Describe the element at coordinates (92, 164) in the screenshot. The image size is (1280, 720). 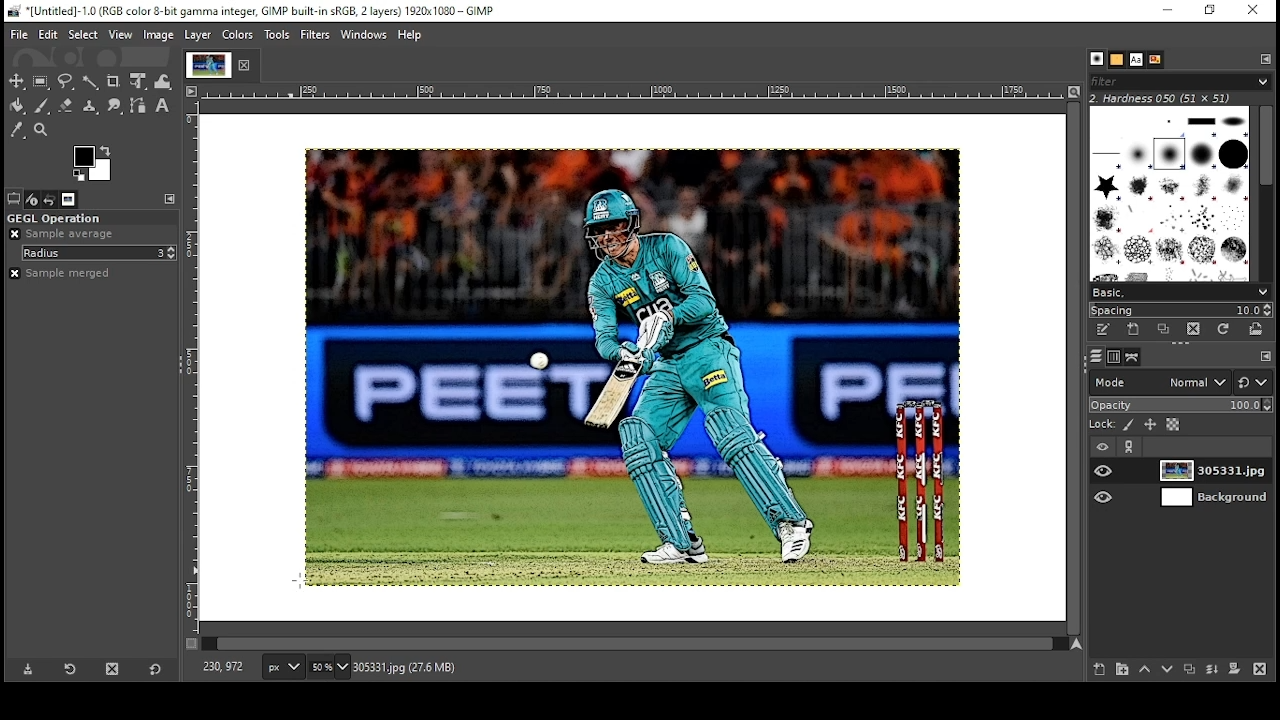
I see `color` at that location.